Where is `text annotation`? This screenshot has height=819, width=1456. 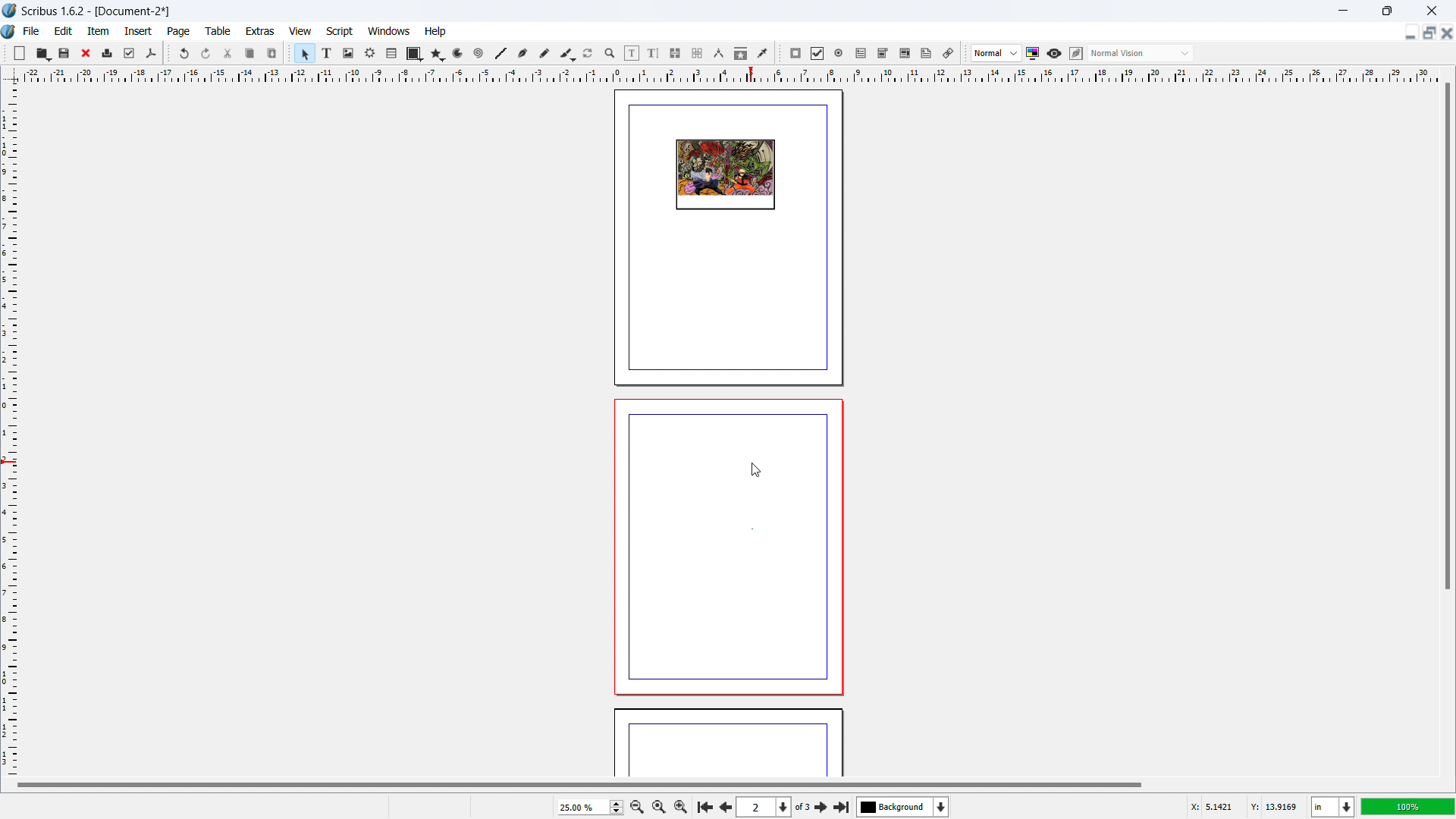 text annotation is located at coordinates (927, 54).